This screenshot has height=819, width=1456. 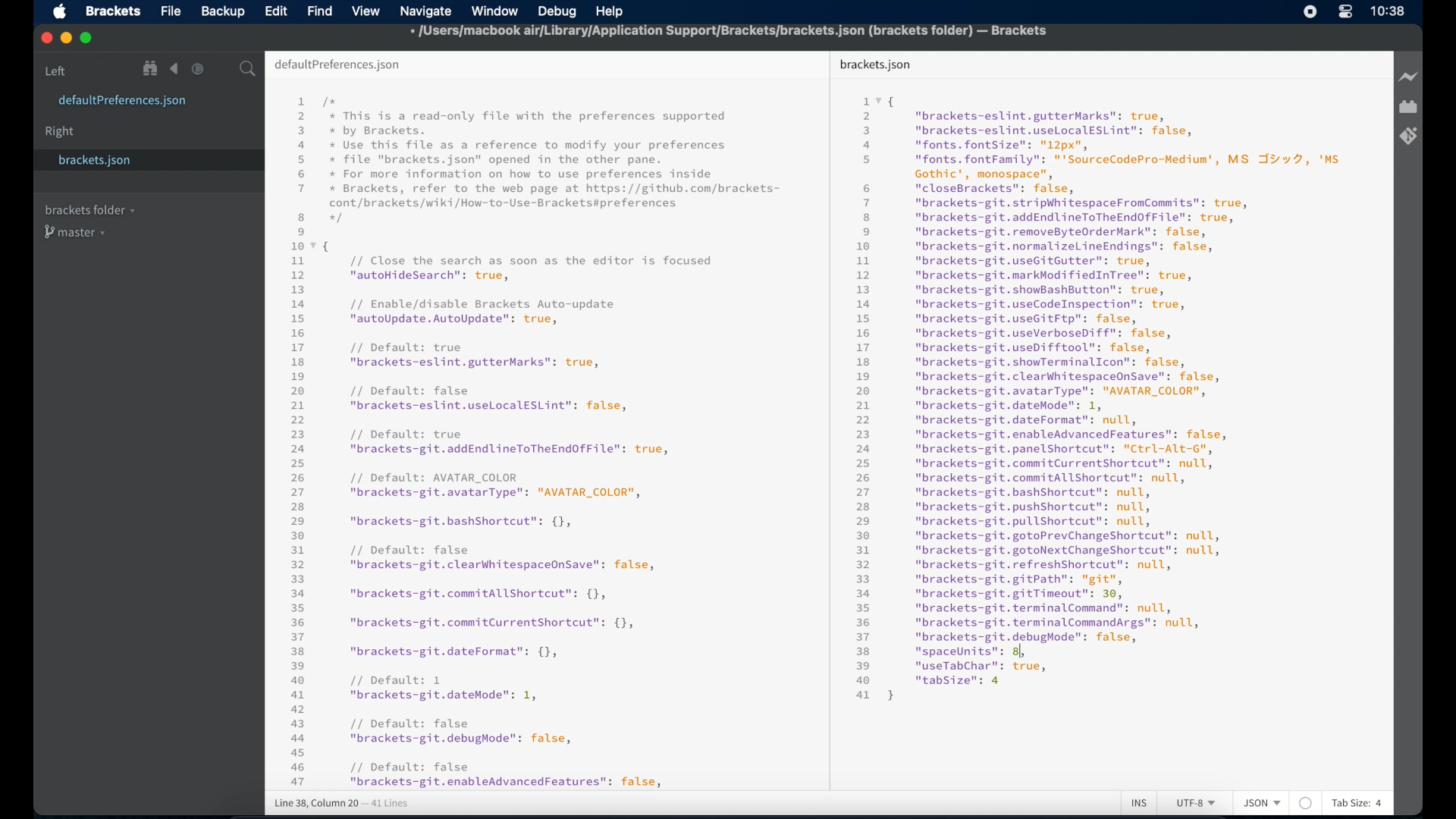 What do you see at coordinates (172, 12) in the screenshot?
I see `file` at bounding box center [172, 12].